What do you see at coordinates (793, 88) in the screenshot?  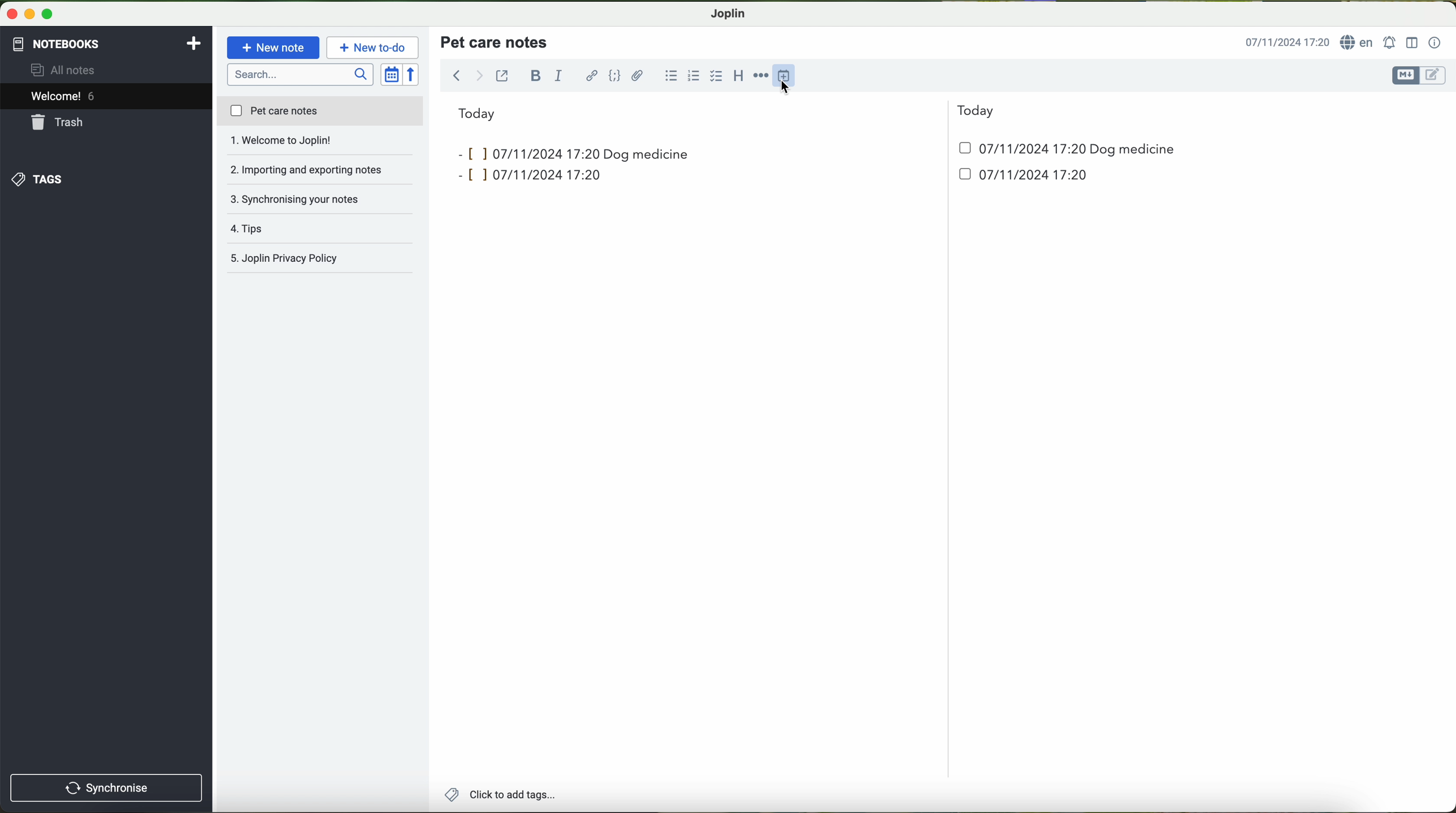 I see `cursor` at bounding box center [793, 88].